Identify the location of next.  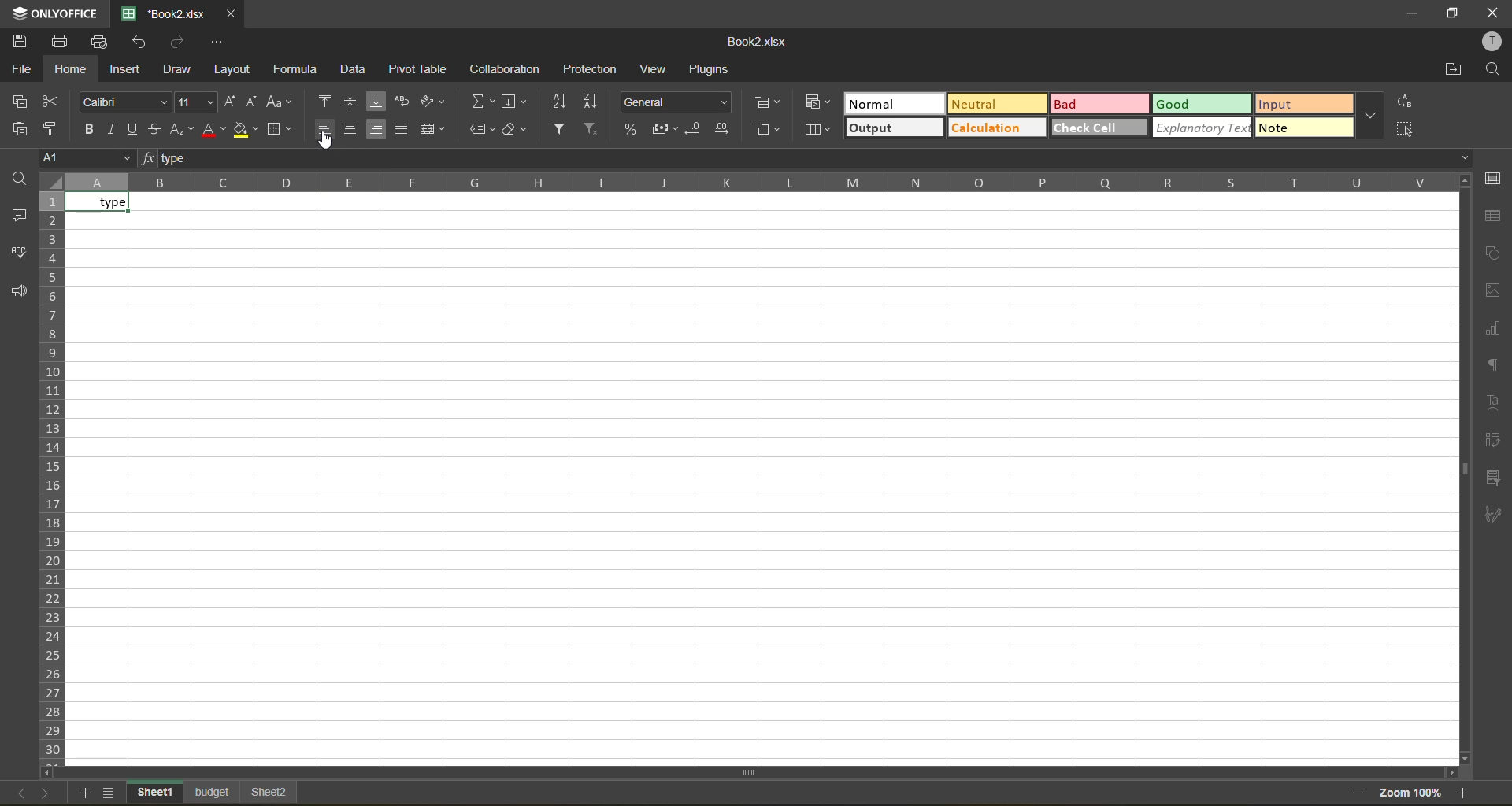
(46, 794).